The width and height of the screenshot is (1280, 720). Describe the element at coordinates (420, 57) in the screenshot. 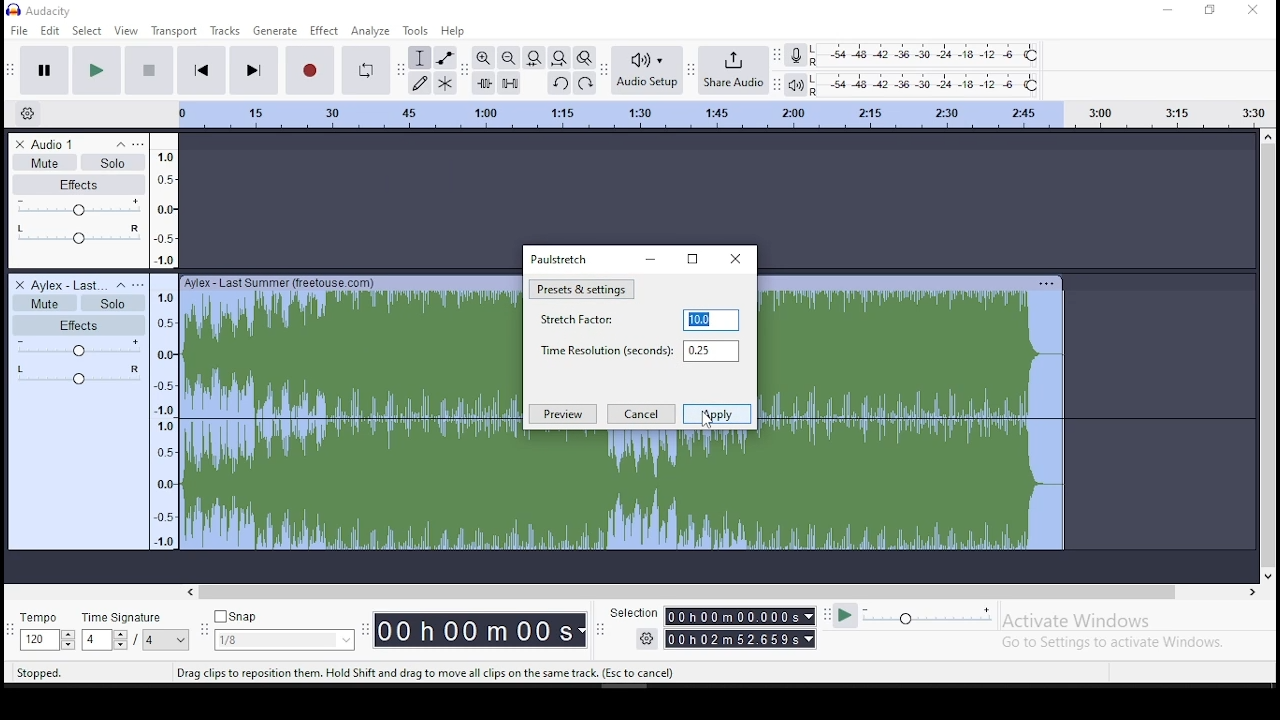

I see `selection tool` at that location.